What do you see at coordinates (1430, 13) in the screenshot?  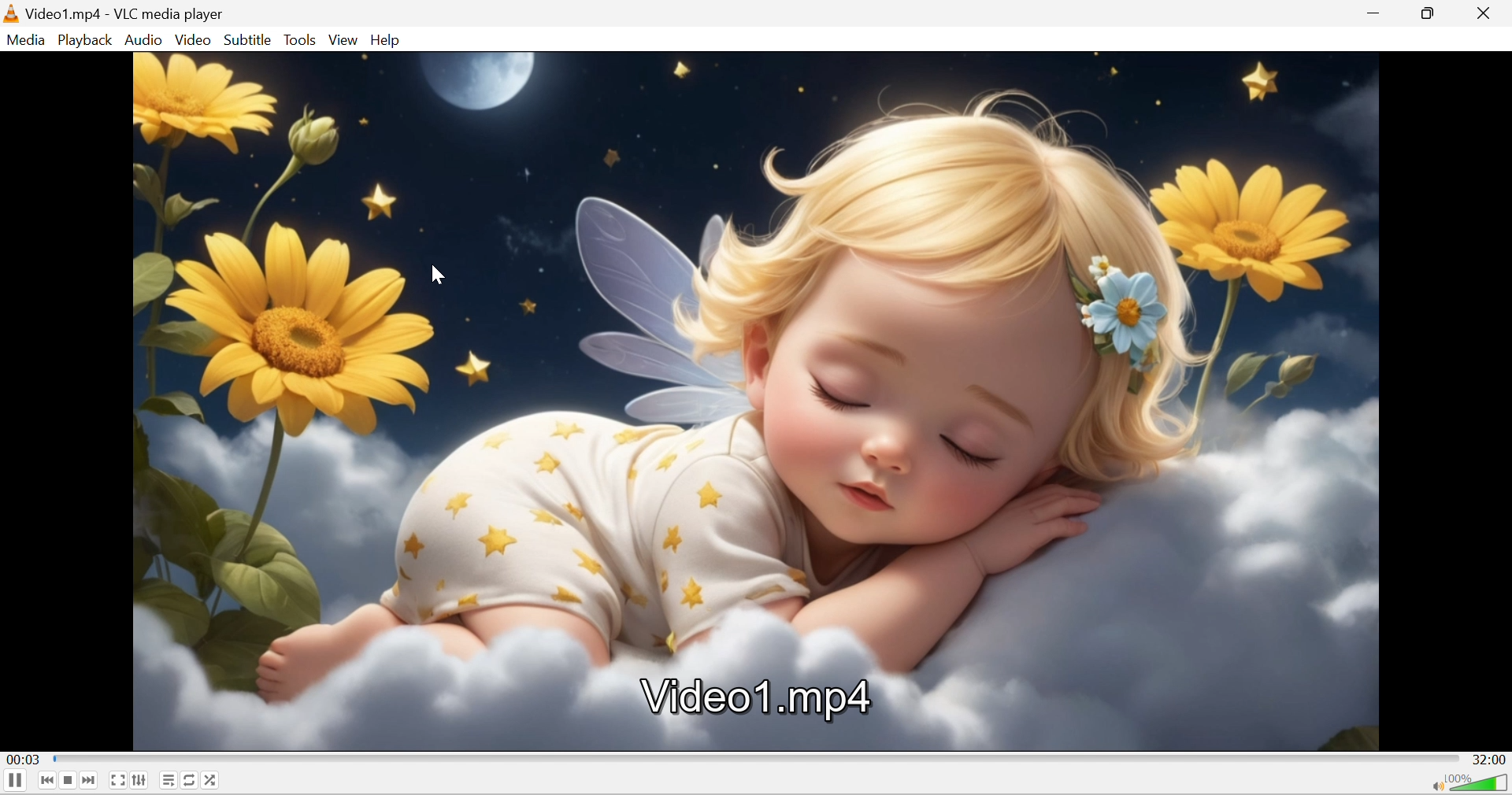 I see `Restore Down` at bounding box center [1430, 13].